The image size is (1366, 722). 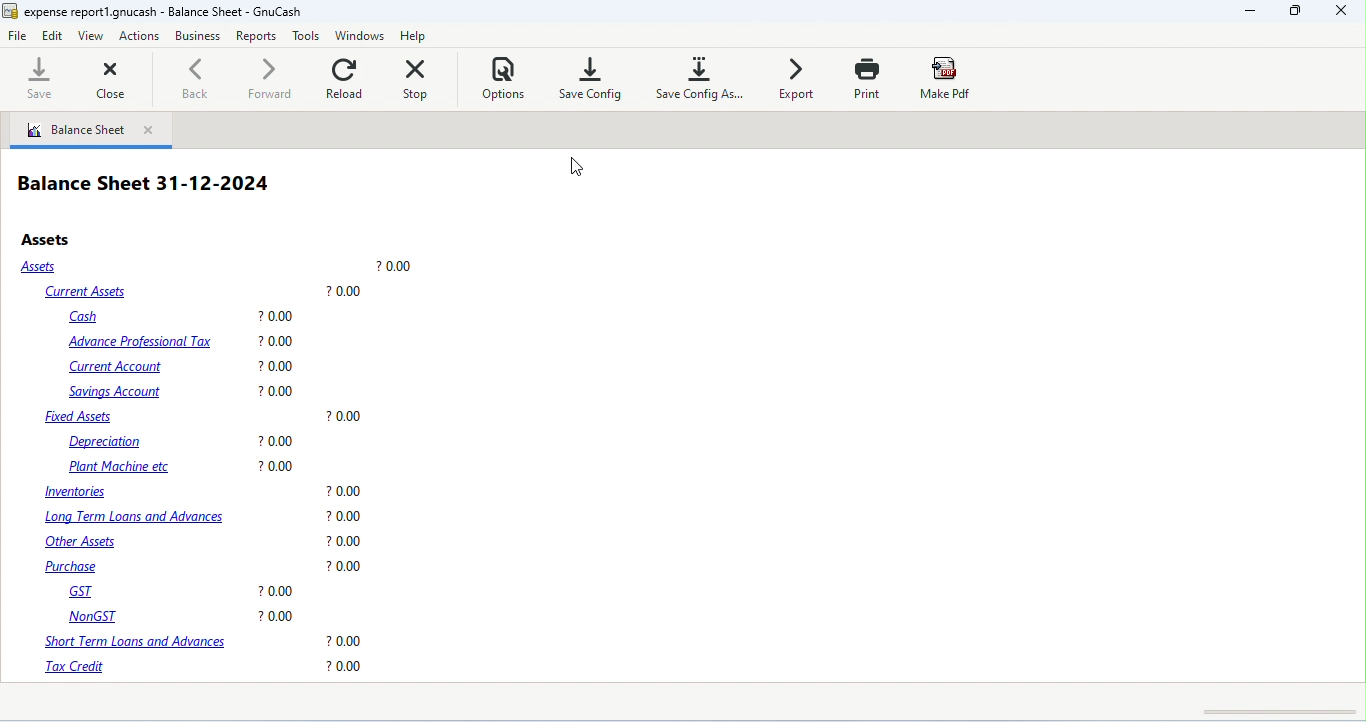 What do you see at coordinates (203, 417) in the screenshot?
I see `fixed assets` at bounding box center [203, 417].